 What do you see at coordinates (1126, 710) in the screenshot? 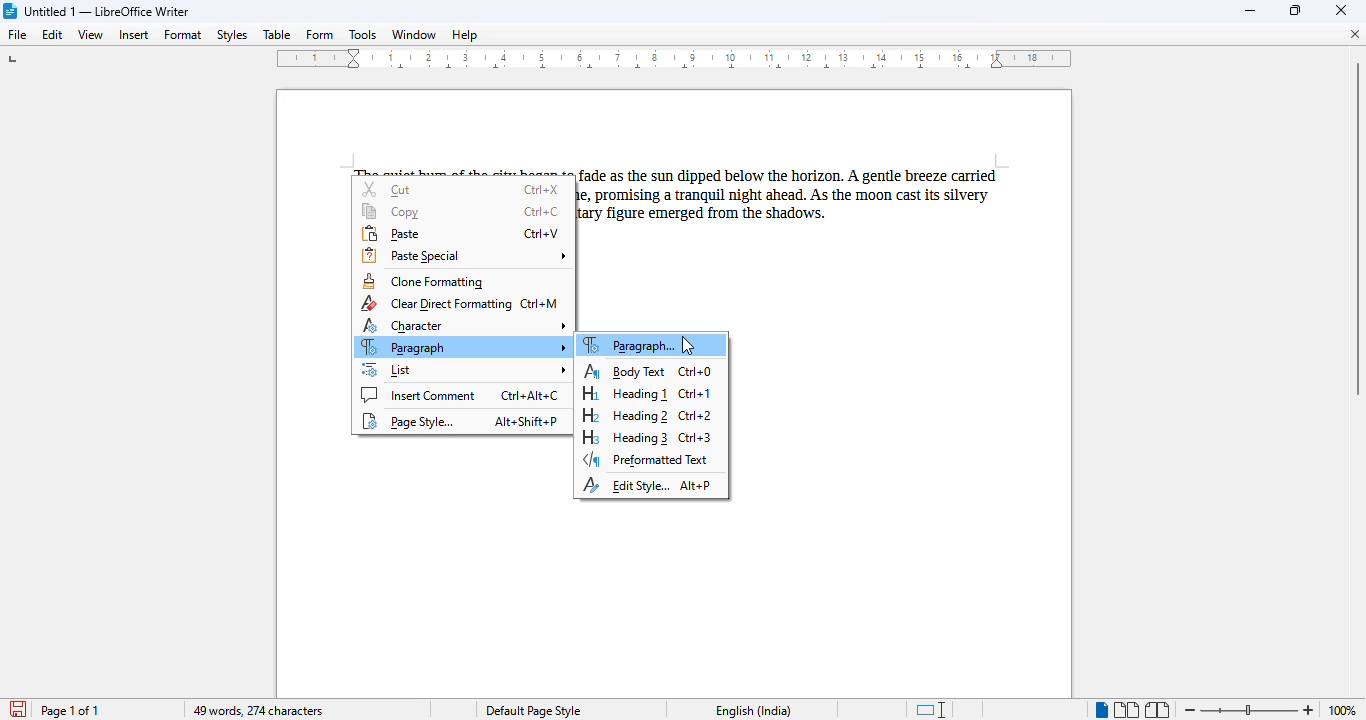
I see `multi-page view` at bounding box center [1126, 710].